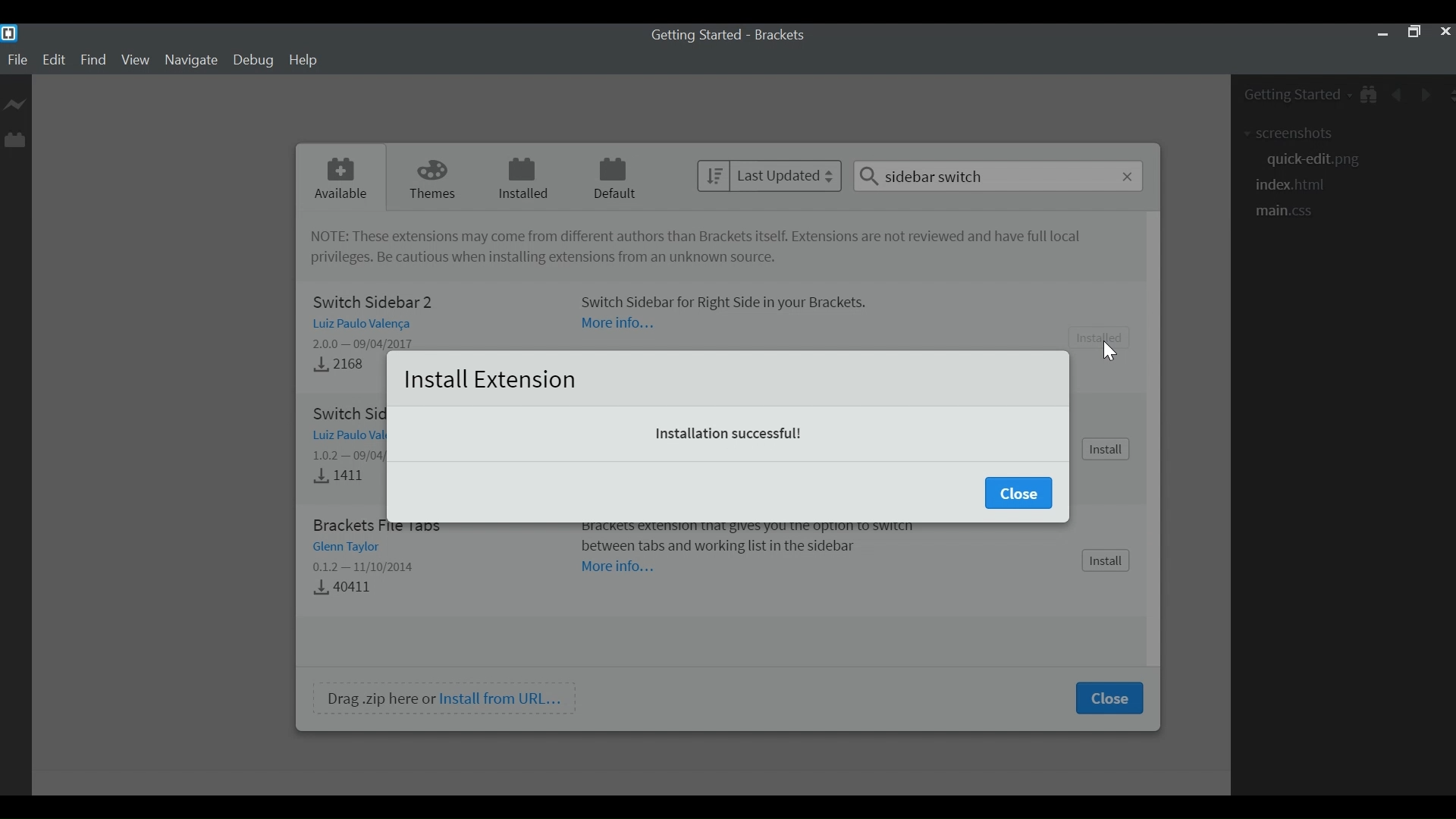 The image size is (1456, 819). I want to click on Close, so click(1108, 698).